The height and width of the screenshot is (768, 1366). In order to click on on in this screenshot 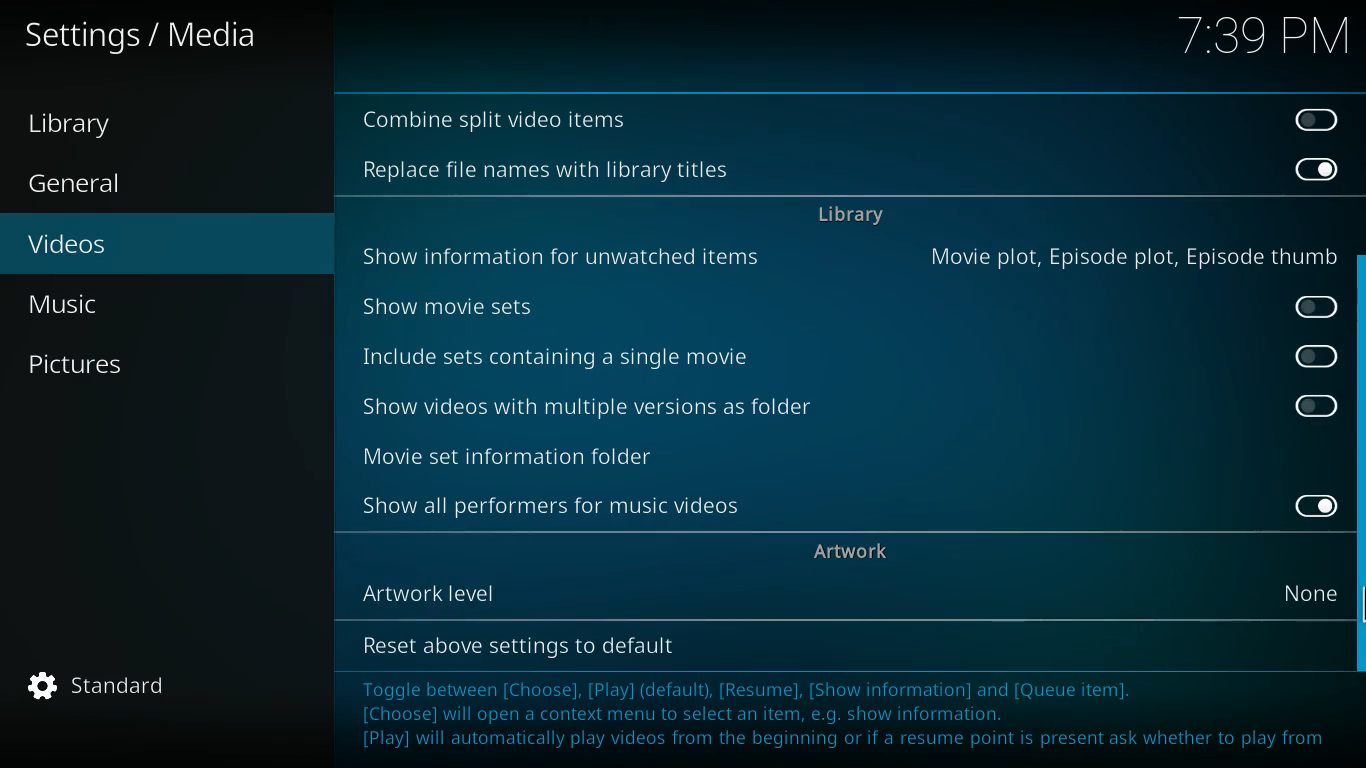, I will do `click(1316, 168)`.